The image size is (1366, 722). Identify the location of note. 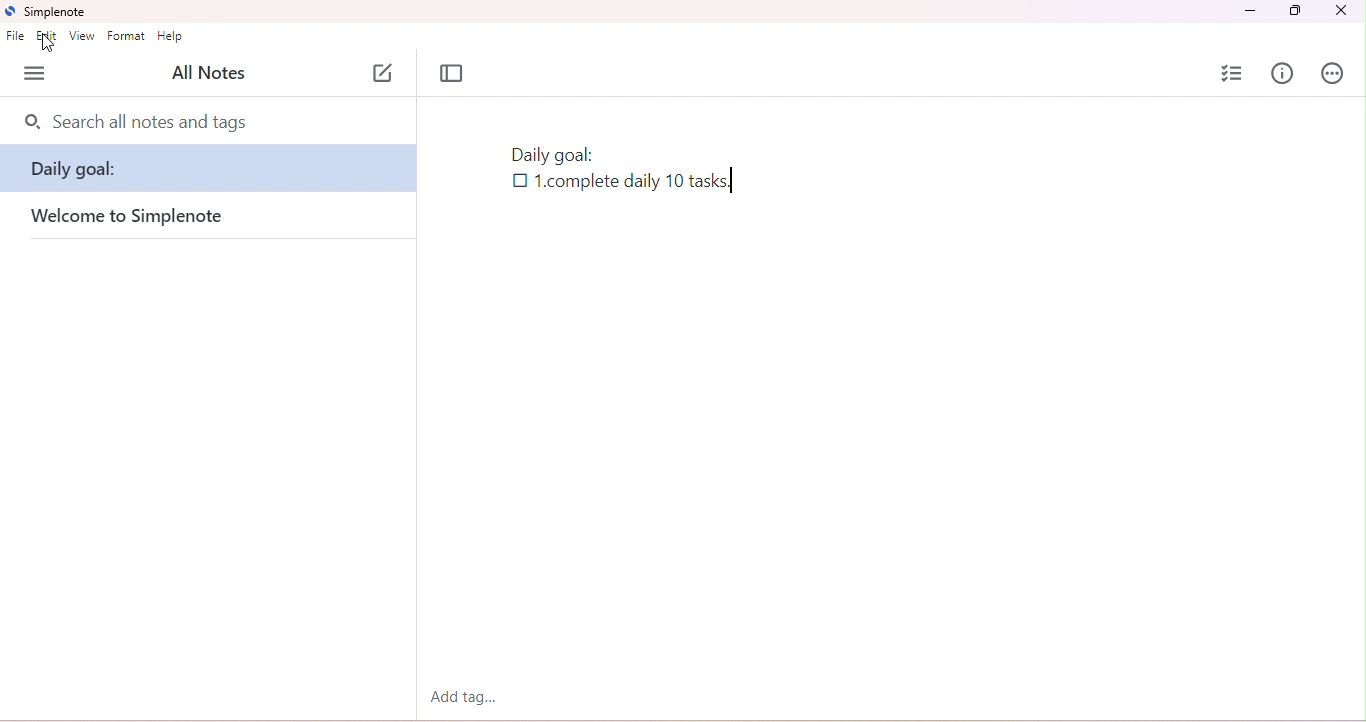
(210, 167).